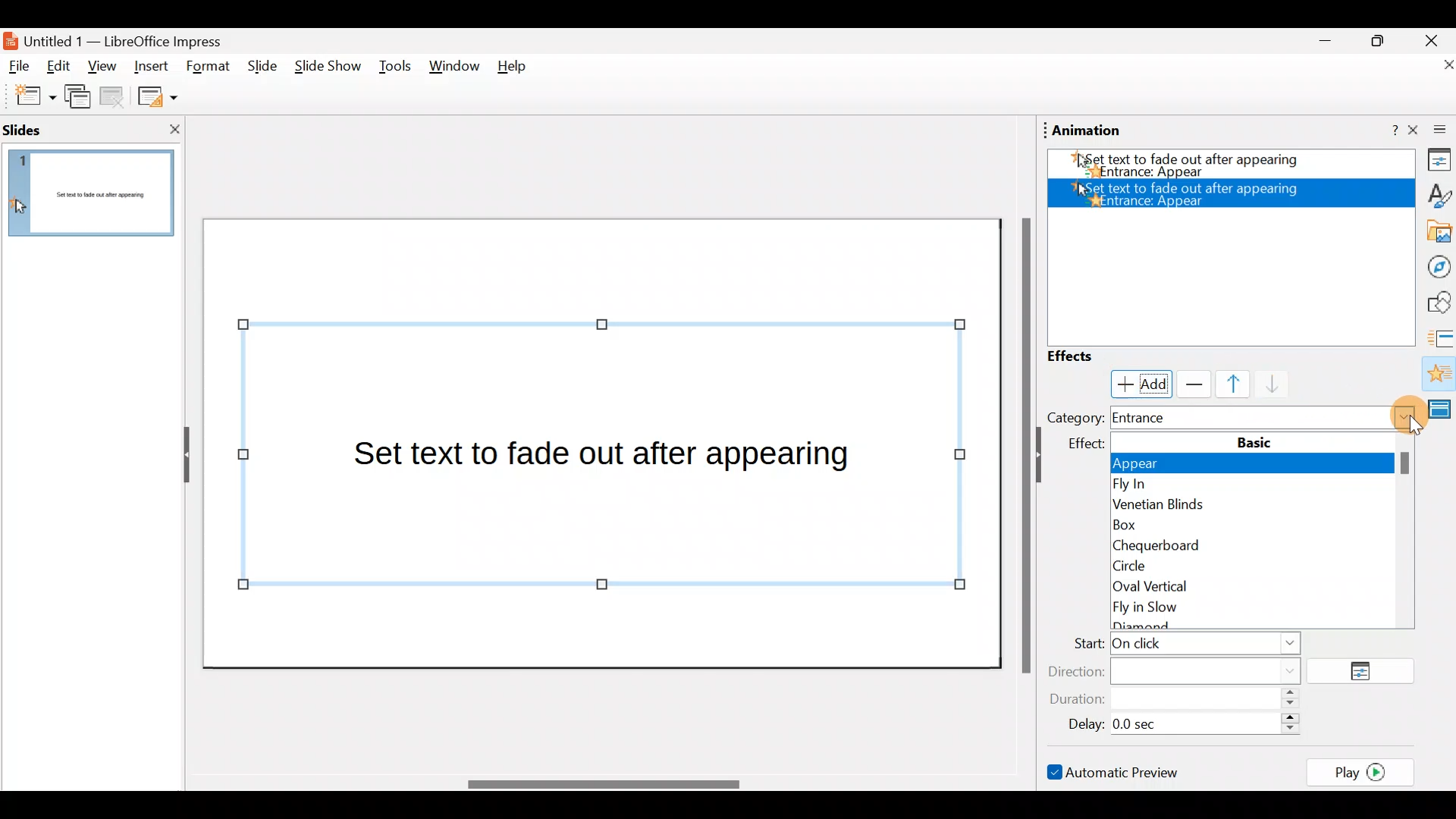  Describe the element at coordinates (1265, 417) in the screenshot. I see `Entrance` at that location.